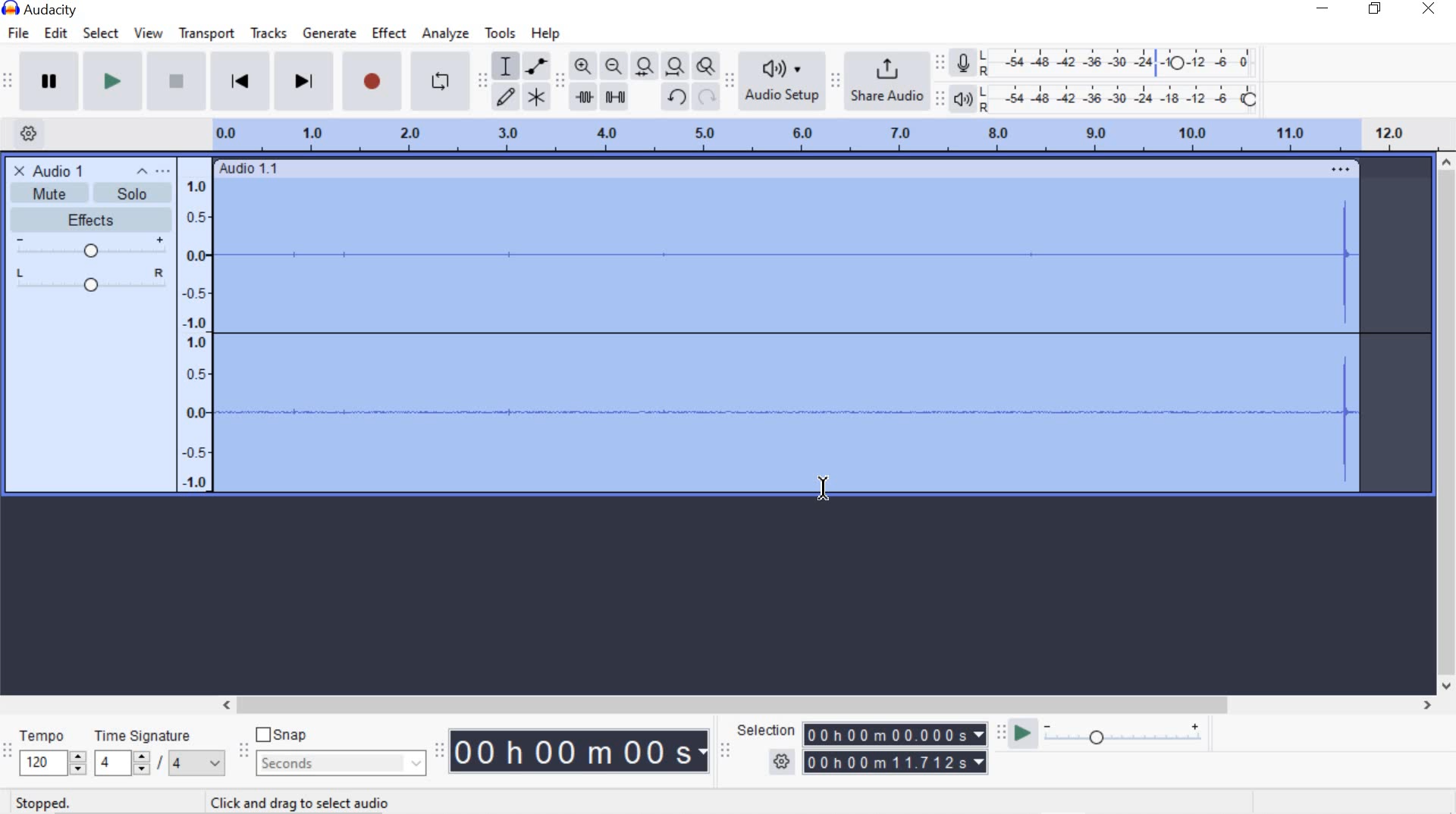 This screenshot has width=1456, height=814. Describe the element at coordinates (89, 249) in the screenshot. I see `Gain` at that location.